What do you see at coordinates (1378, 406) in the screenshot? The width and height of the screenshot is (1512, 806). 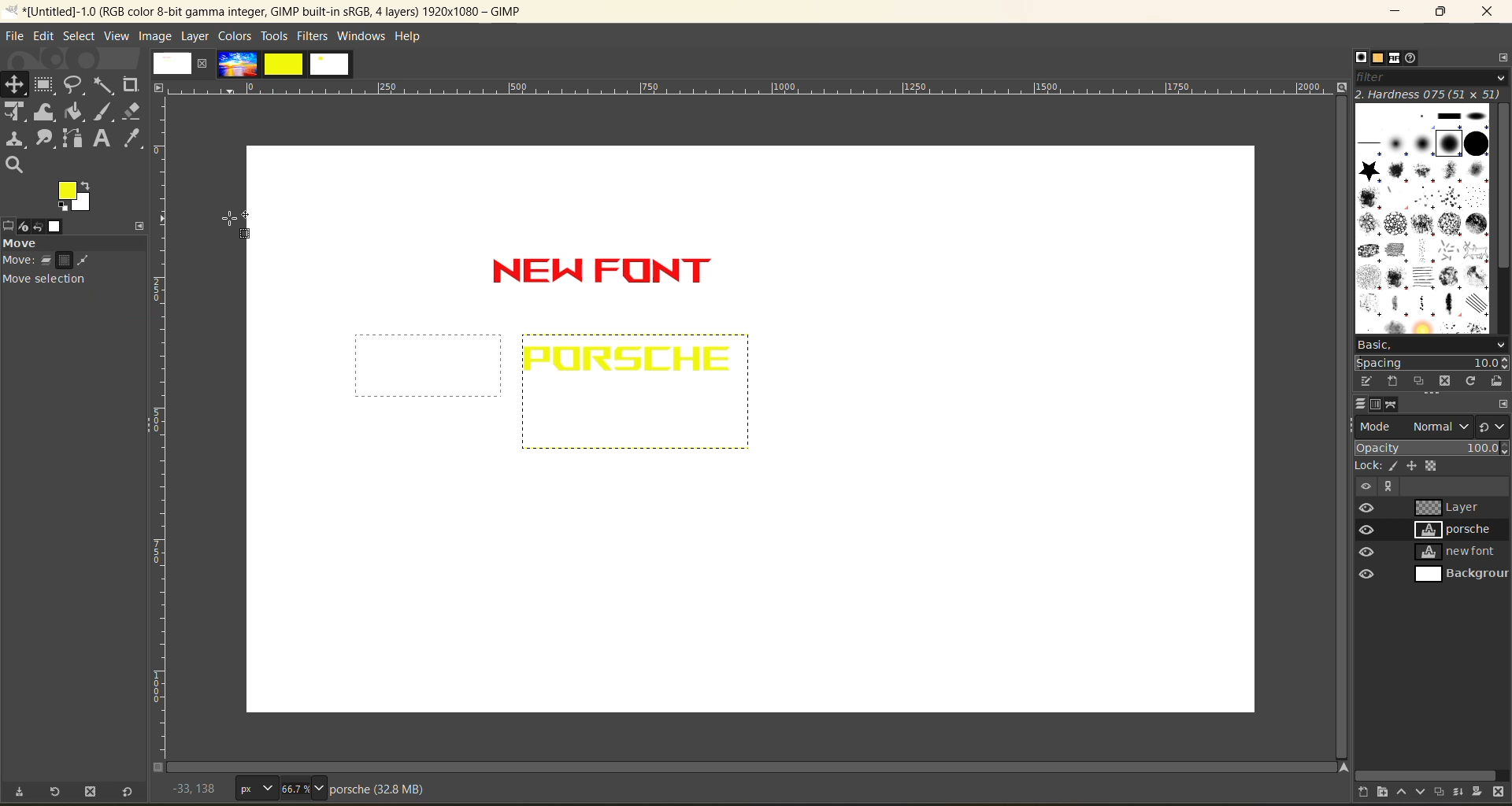 I see `channels` at bounding box center [1378, 406].